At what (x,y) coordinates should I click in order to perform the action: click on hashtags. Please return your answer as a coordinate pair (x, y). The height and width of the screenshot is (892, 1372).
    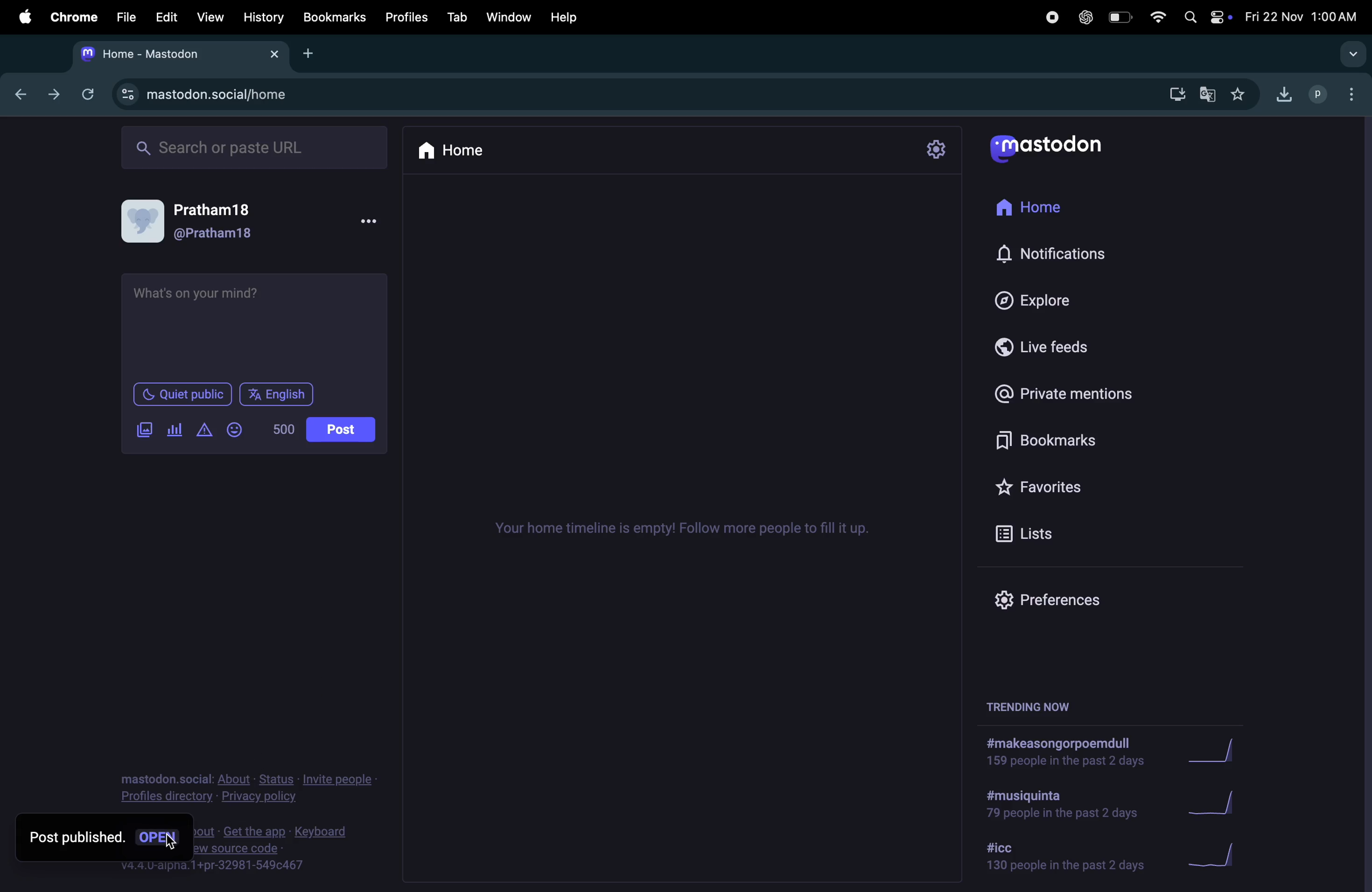
    Looking at the image, I should click on (1064, 753).